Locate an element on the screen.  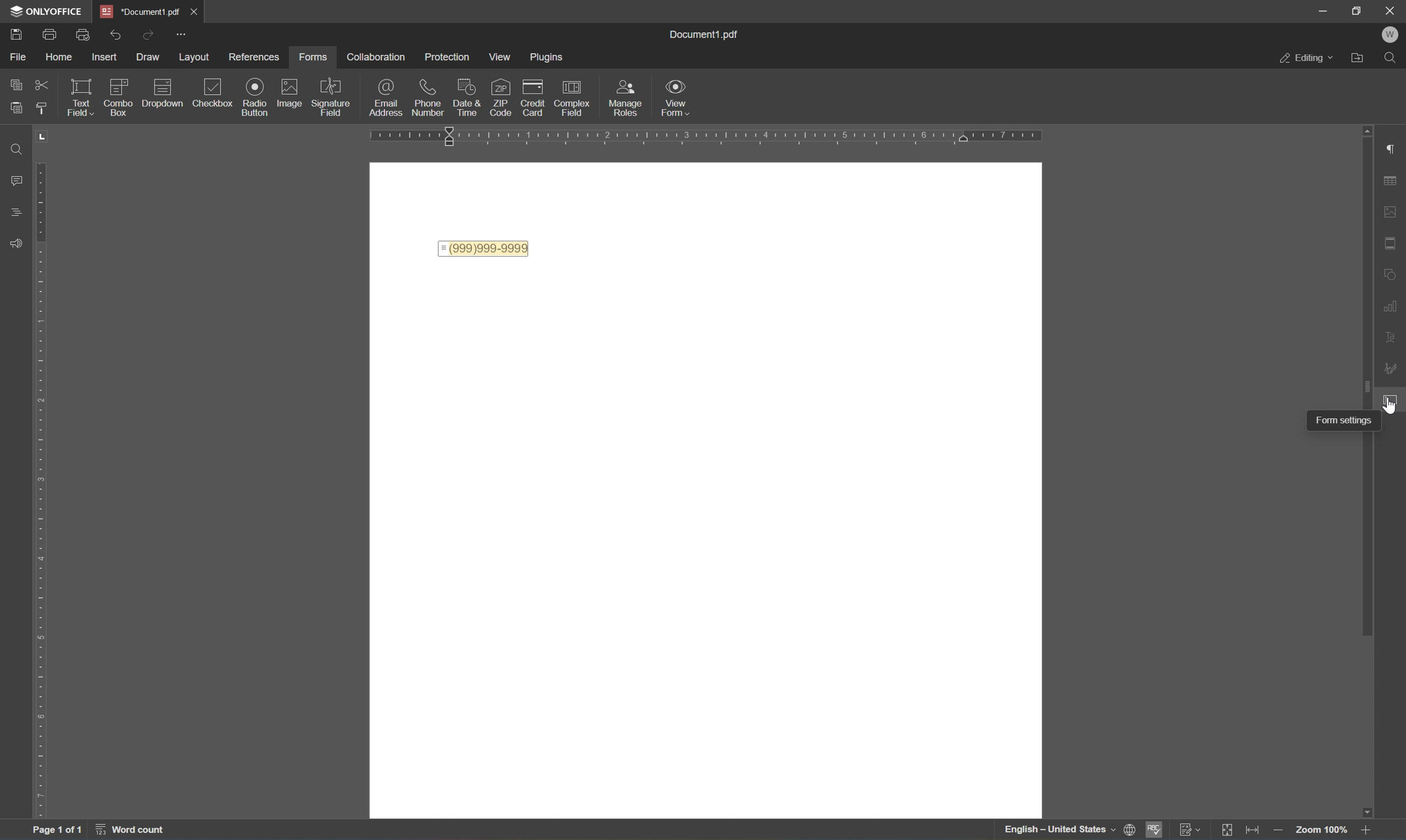
set document language is located at coordinates (1131, 829).